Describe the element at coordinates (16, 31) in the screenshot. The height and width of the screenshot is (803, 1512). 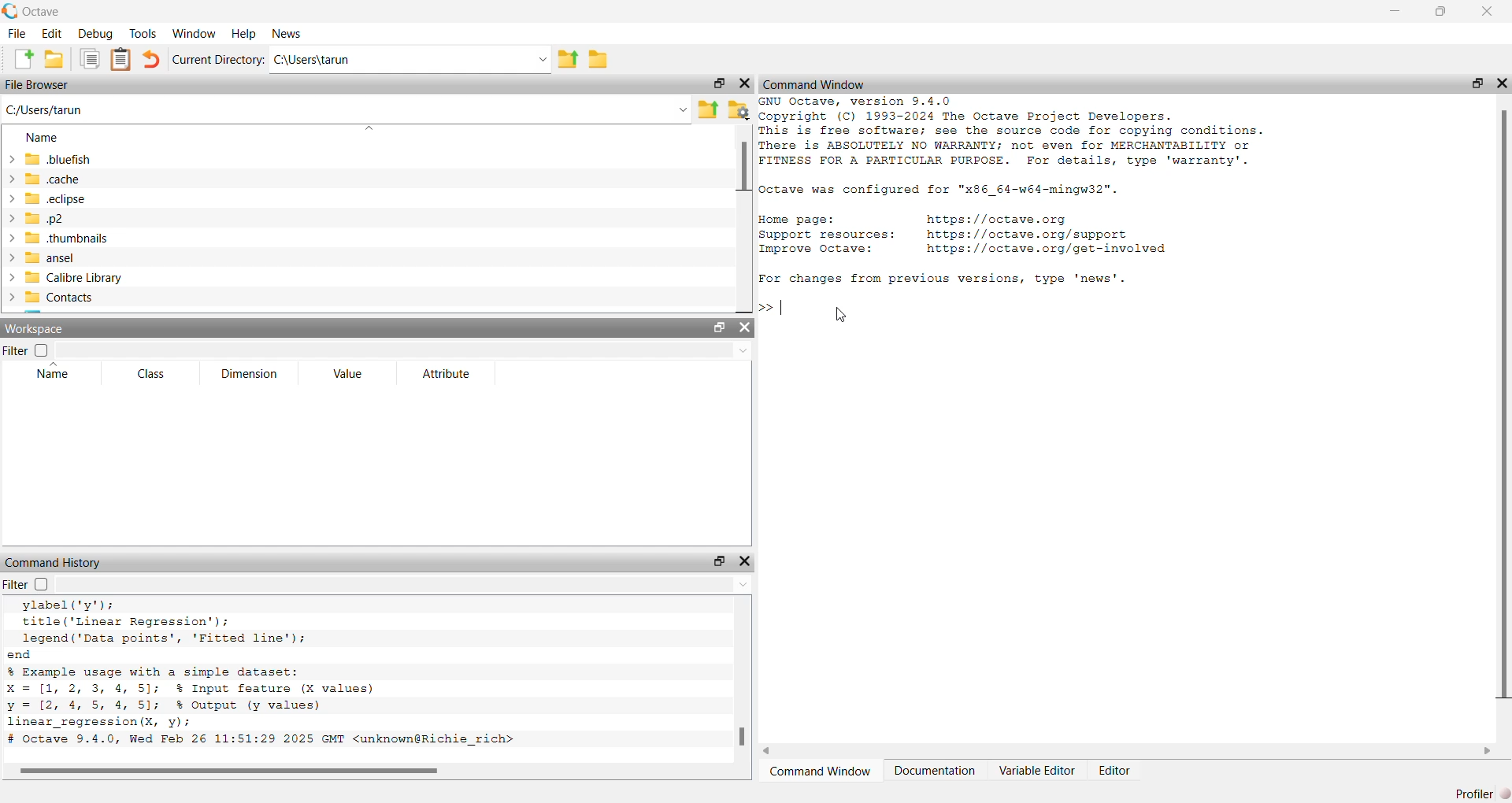
I see `file` at that location.